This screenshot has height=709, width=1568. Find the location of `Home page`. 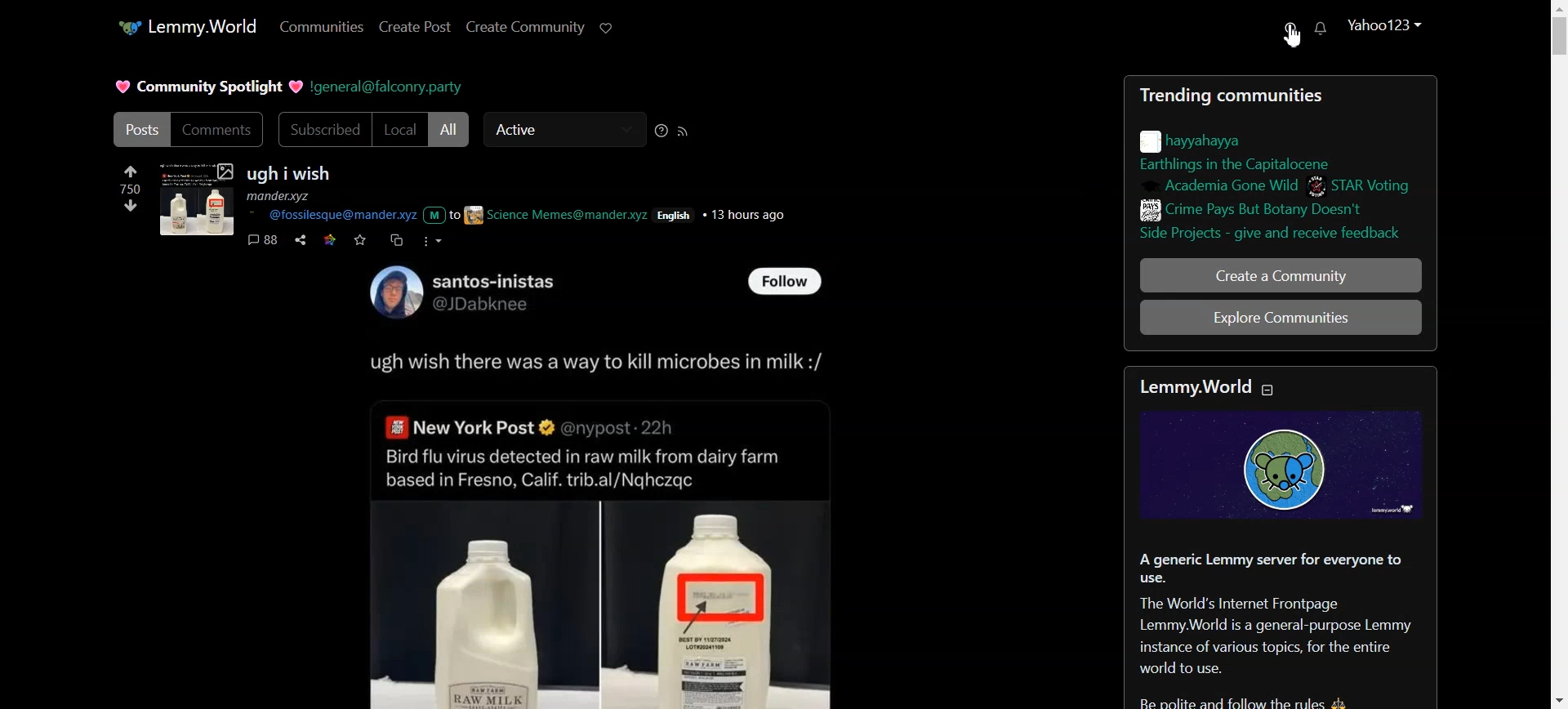

Home page is located at coordinates (185, 26).